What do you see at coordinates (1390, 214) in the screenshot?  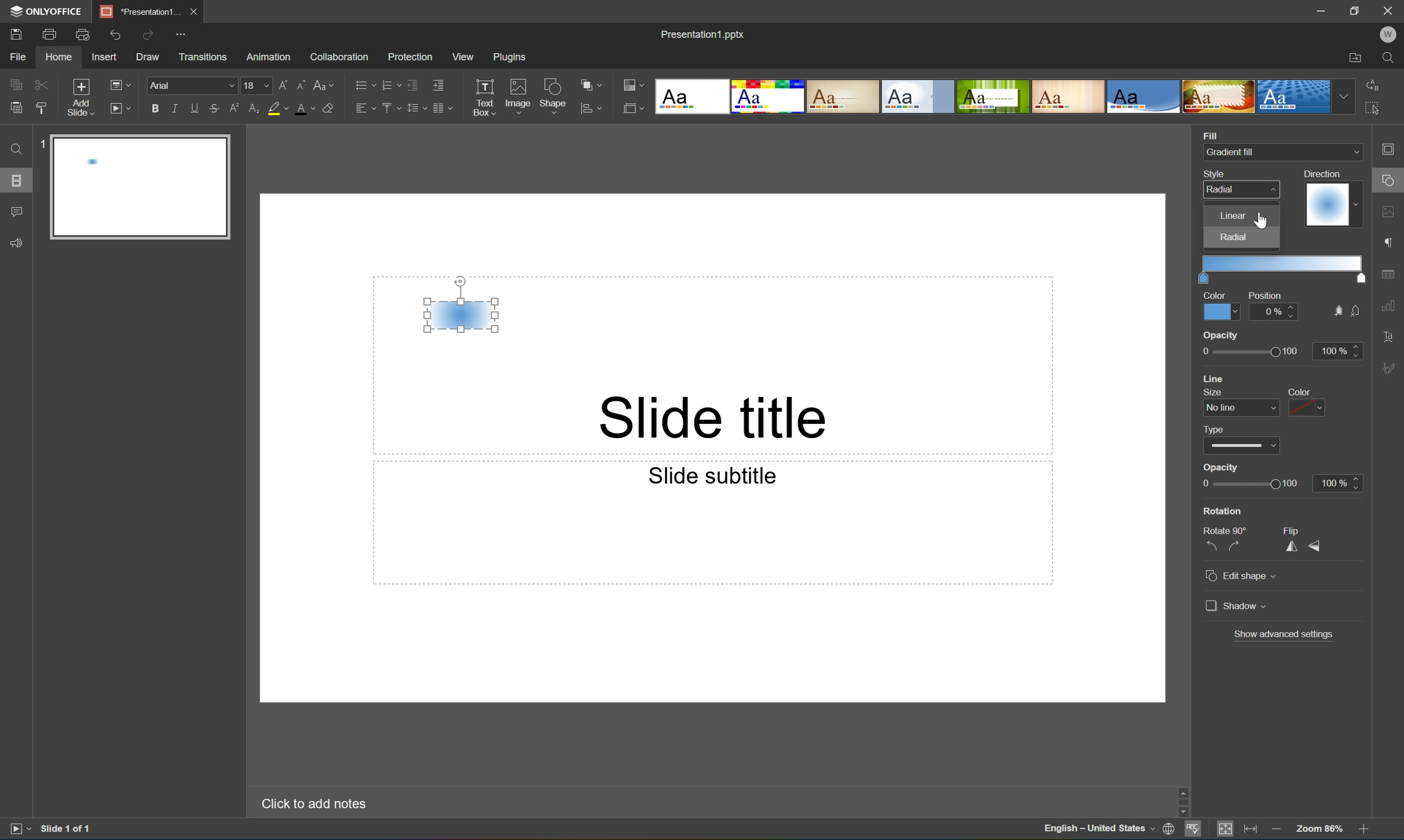 I see `image settings` at bounding box center [1390, 214].